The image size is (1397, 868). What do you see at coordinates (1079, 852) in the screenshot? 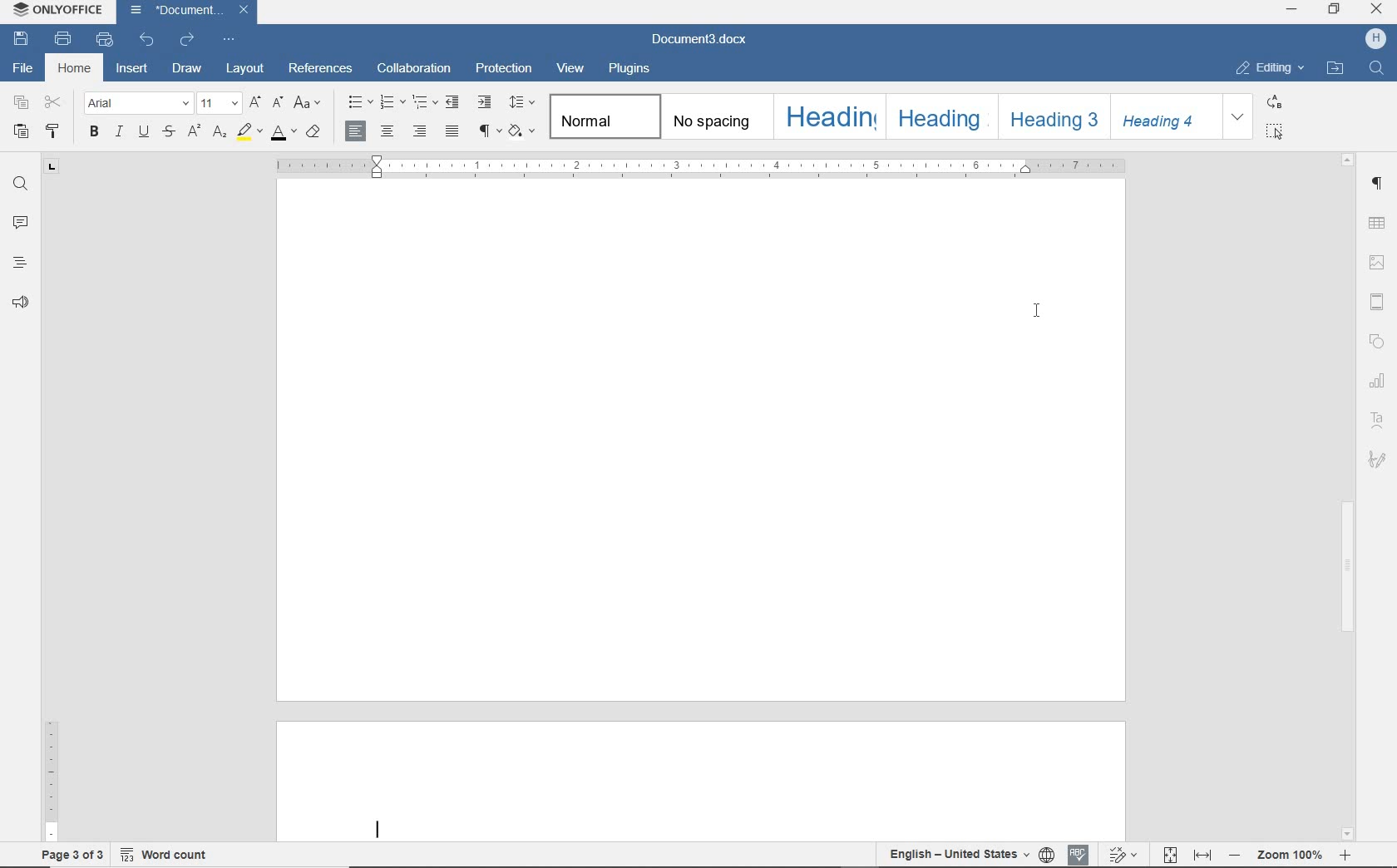
I see `Spell check` at bounding box center [1079, 852].